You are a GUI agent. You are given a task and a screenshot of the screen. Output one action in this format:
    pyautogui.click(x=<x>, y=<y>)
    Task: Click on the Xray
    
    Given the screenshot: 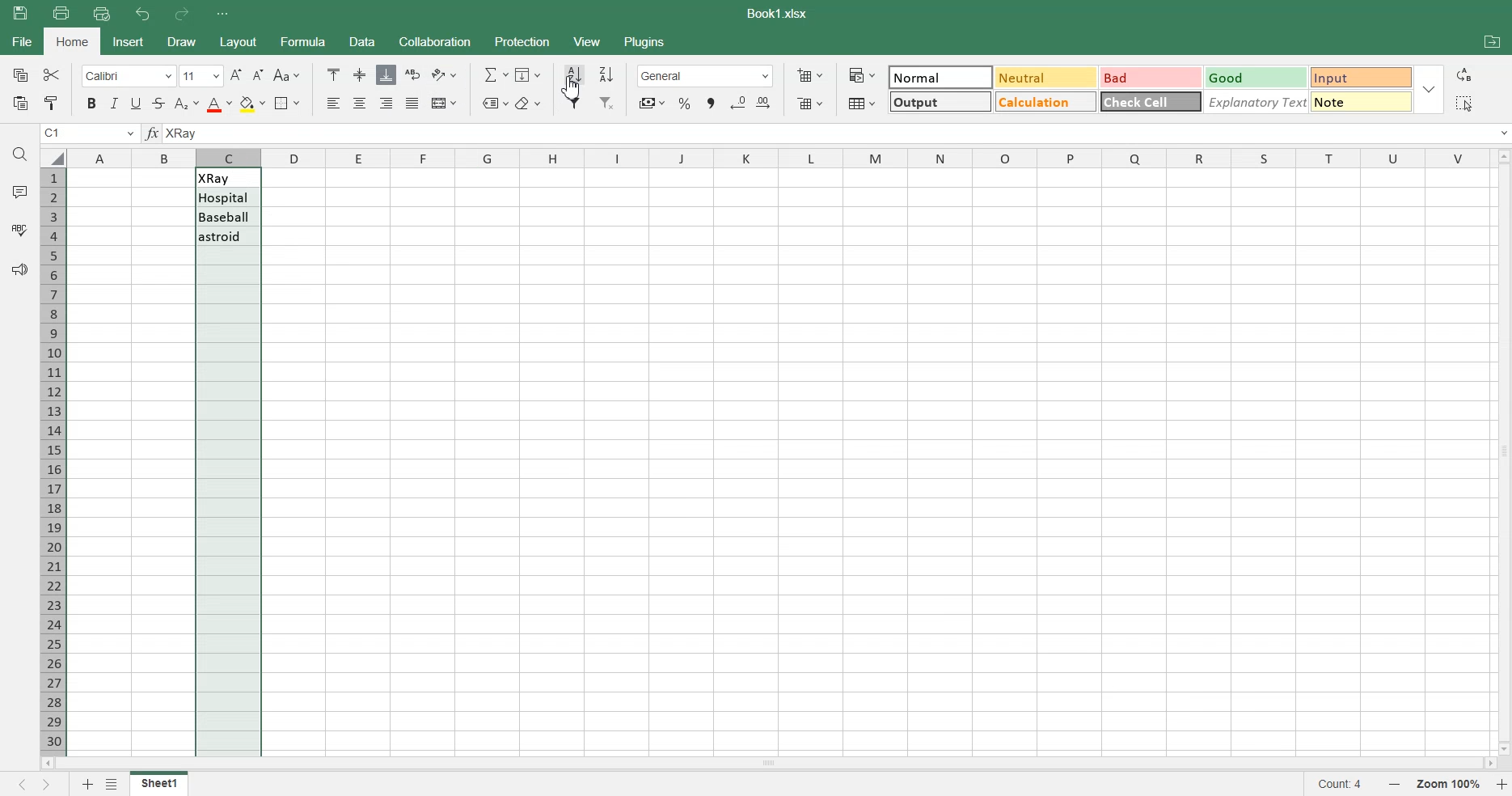 What is the action you would take?
    pyautogui.click(x=227, y=178)
    